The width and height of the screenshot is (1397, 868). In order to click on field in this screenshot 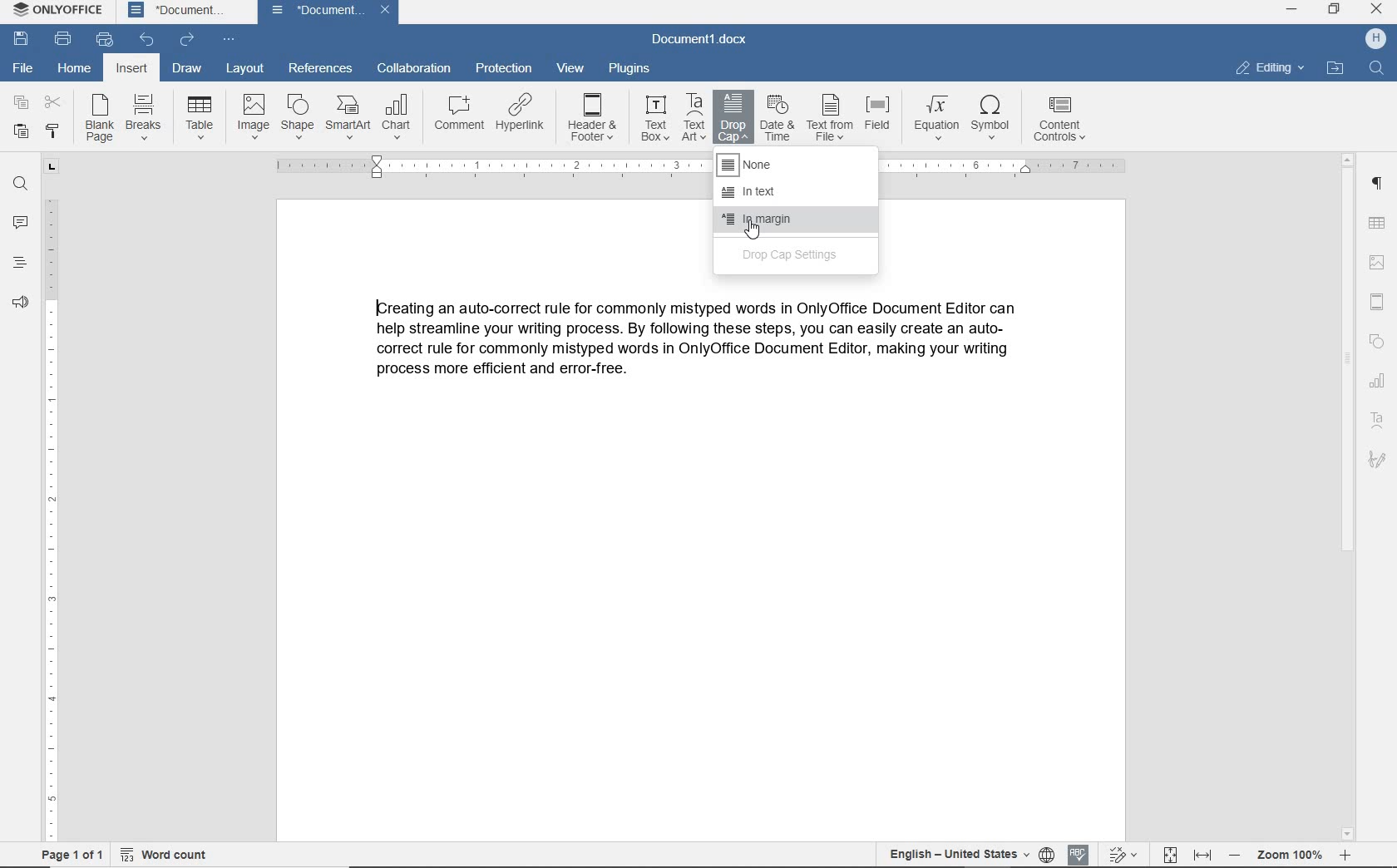, I will do `click(881, 118)`.